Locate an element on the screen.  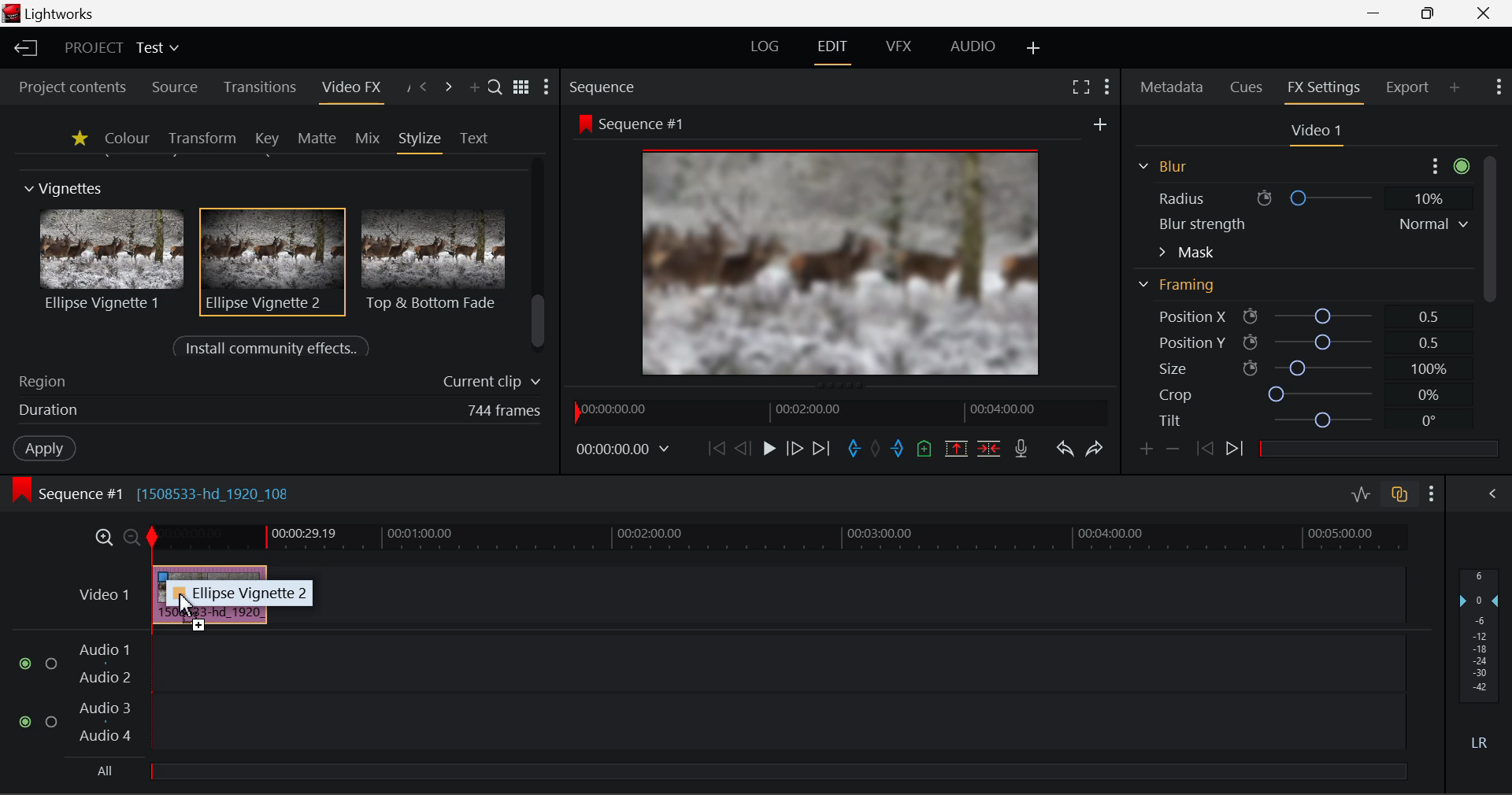
Scroll Bar is located at coordinates (1488, 250).